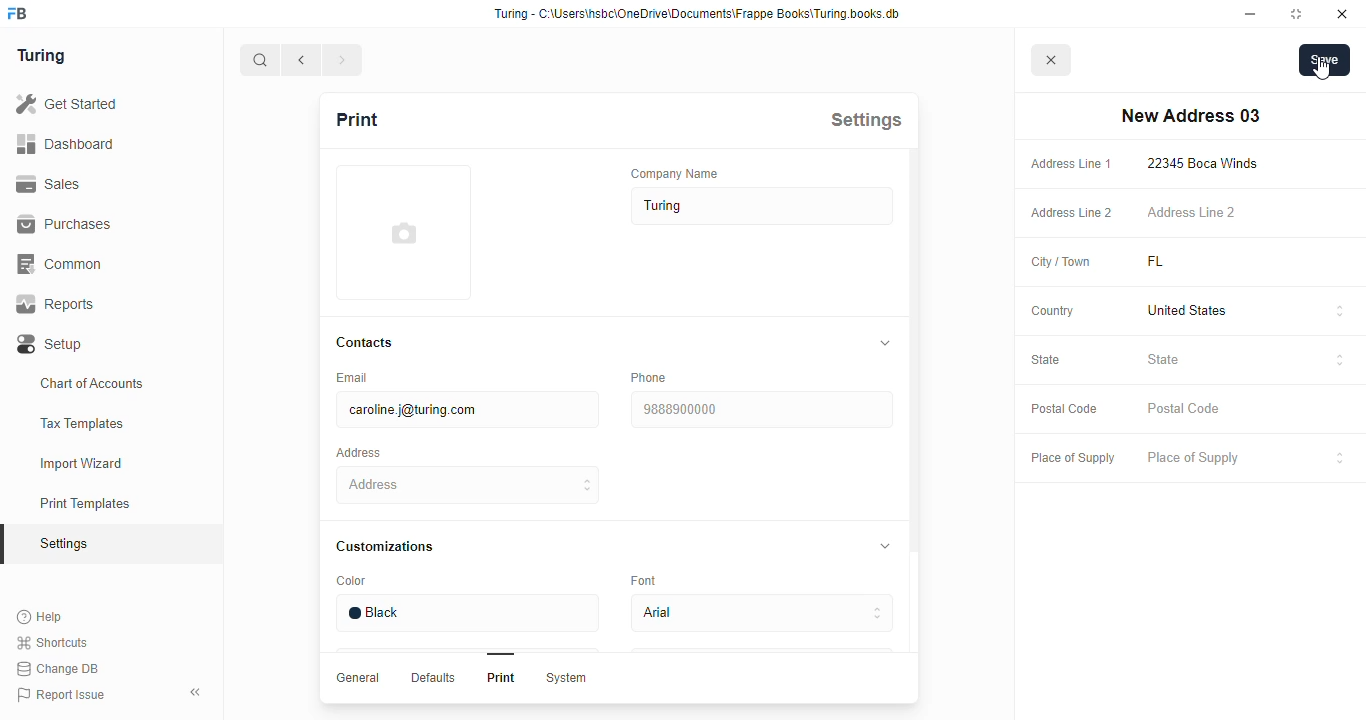  I want to click on General, so click(358, 677).